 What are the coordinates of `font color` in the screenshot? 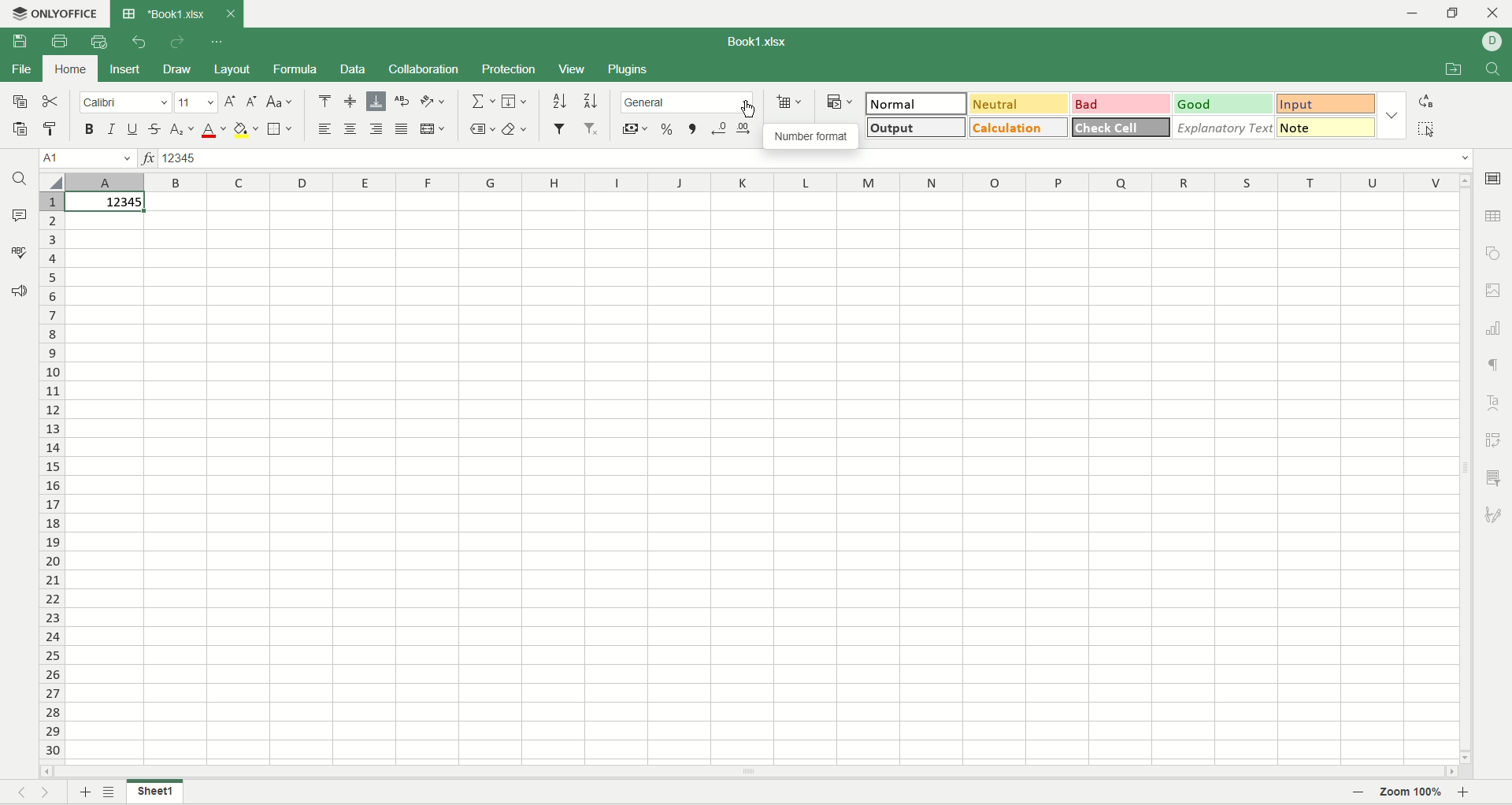 It's located at (213, 130).